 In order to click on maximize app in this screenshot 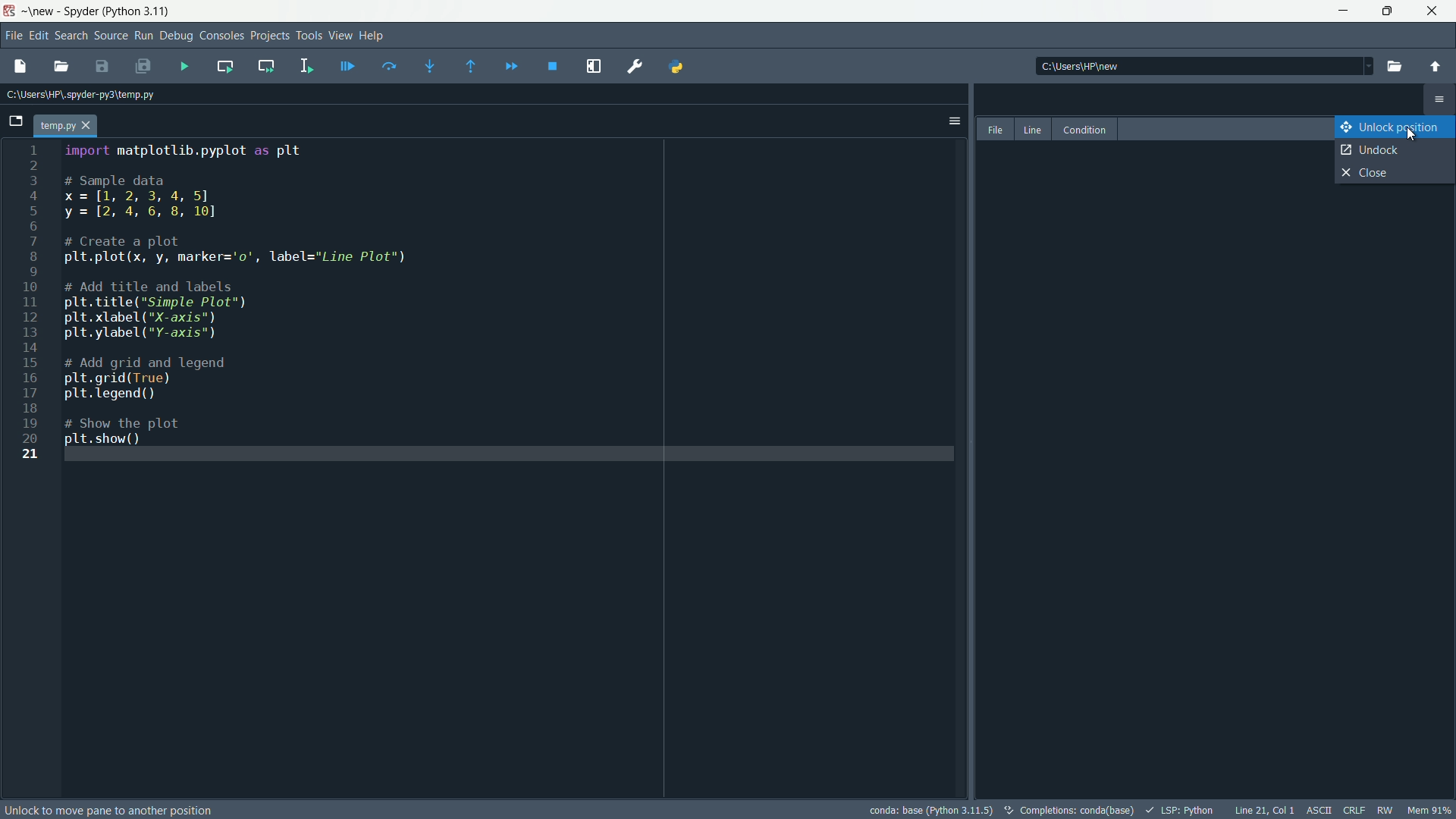, I will do `click(1435, 11)`.